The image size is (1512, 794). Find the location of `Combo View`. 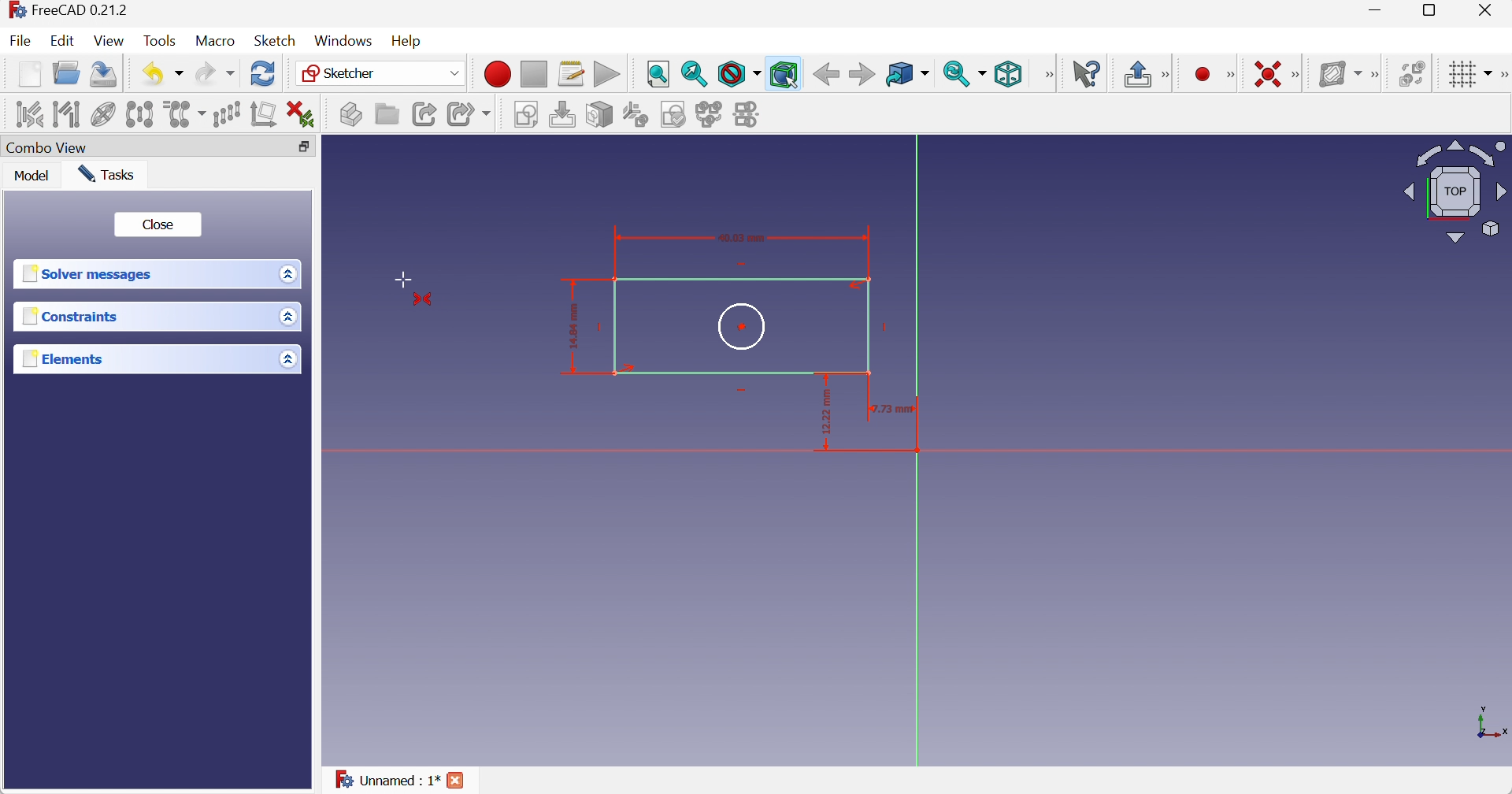

Combo View is located at coordinates (46, 149).